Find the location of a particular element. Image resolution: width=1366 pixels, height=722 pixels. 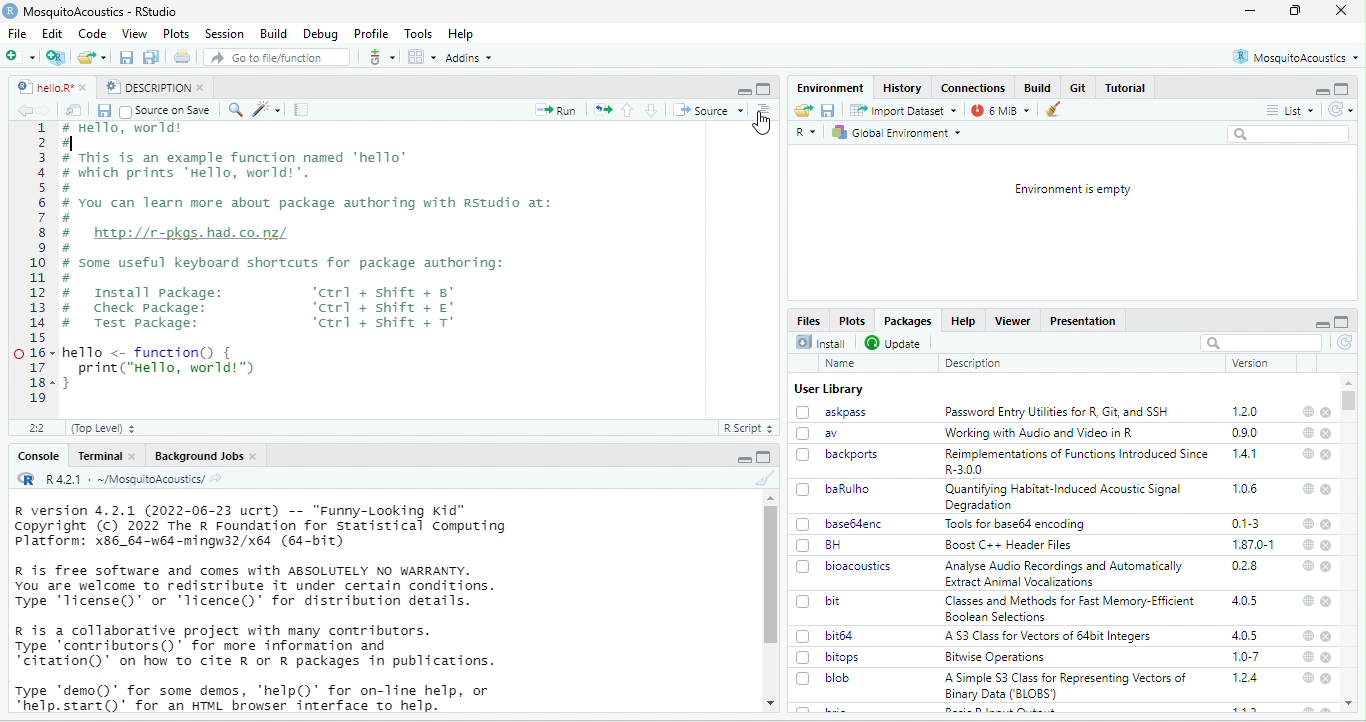

‘Working with Audio and Video in R is located at coordinates (1039, 432).